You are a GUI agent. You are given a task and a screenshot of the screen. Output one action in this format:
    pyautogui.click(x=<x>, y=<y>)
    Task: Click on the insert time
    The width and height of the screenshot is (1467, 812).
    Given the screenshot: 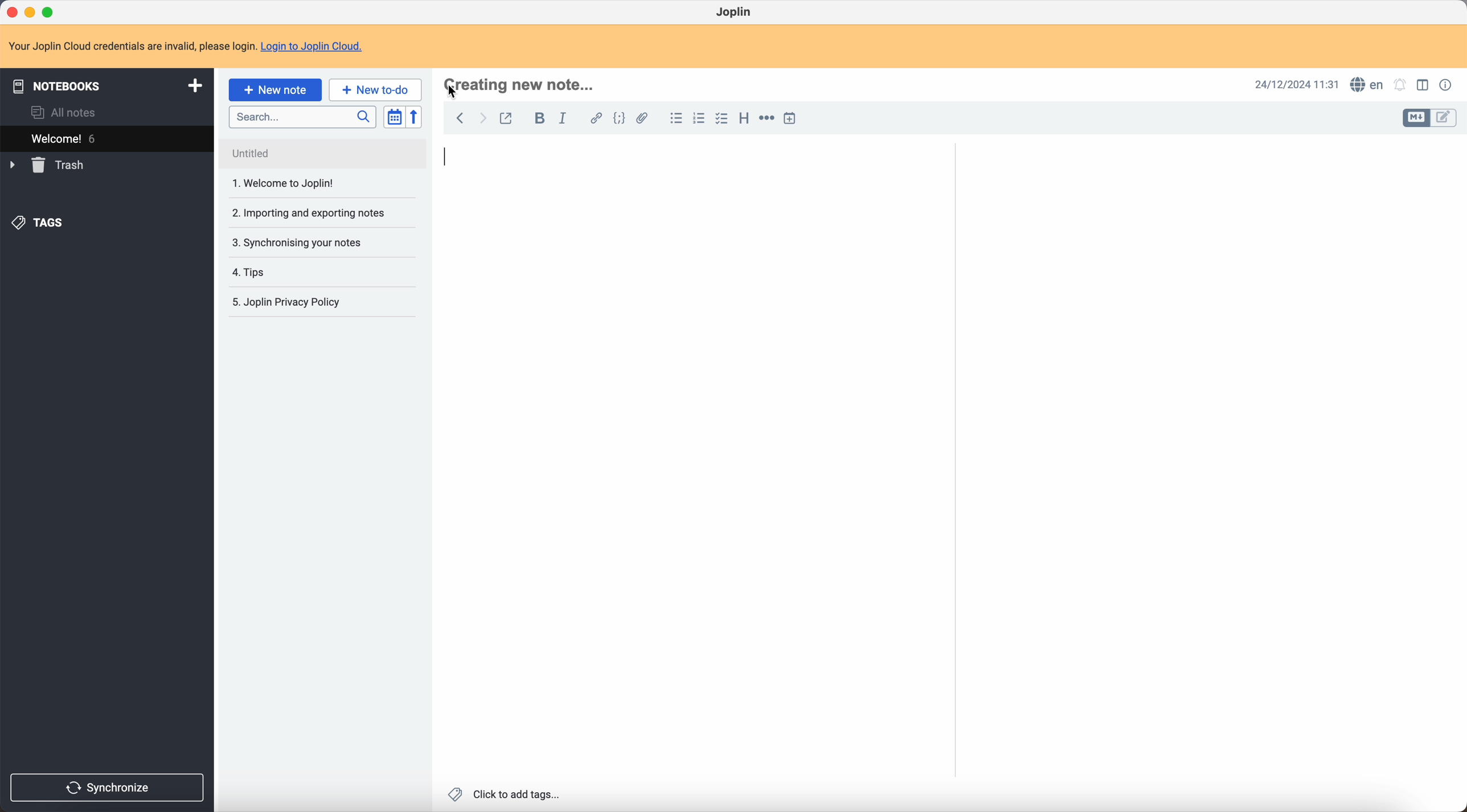 What is the action you would take?
    pyautogui.click(x=789, y=118)
    